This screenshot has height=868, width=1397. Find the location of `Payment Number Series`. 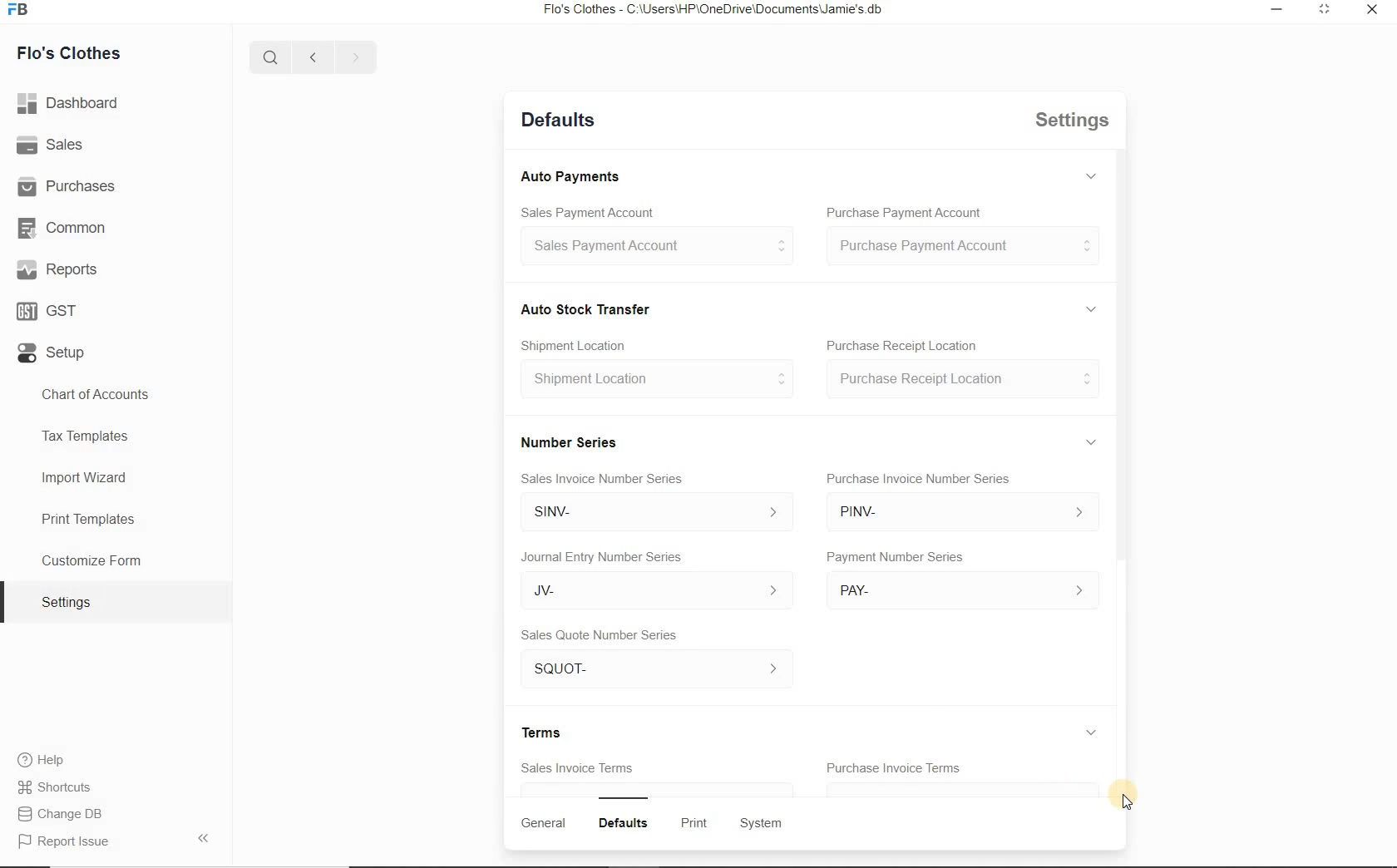

Payment Number Series is located at coordinates (897, 555).